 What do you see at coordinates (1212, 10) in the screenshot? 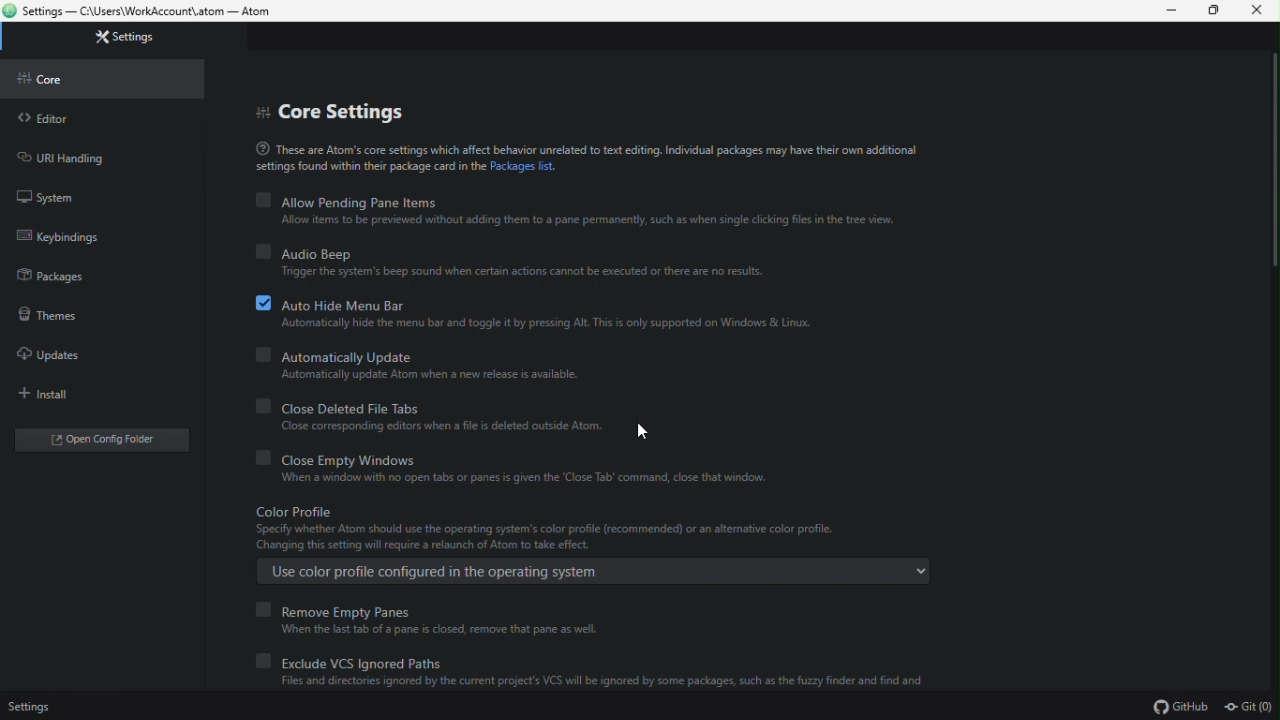
I see `restore` at bounding box center [1212, 10].